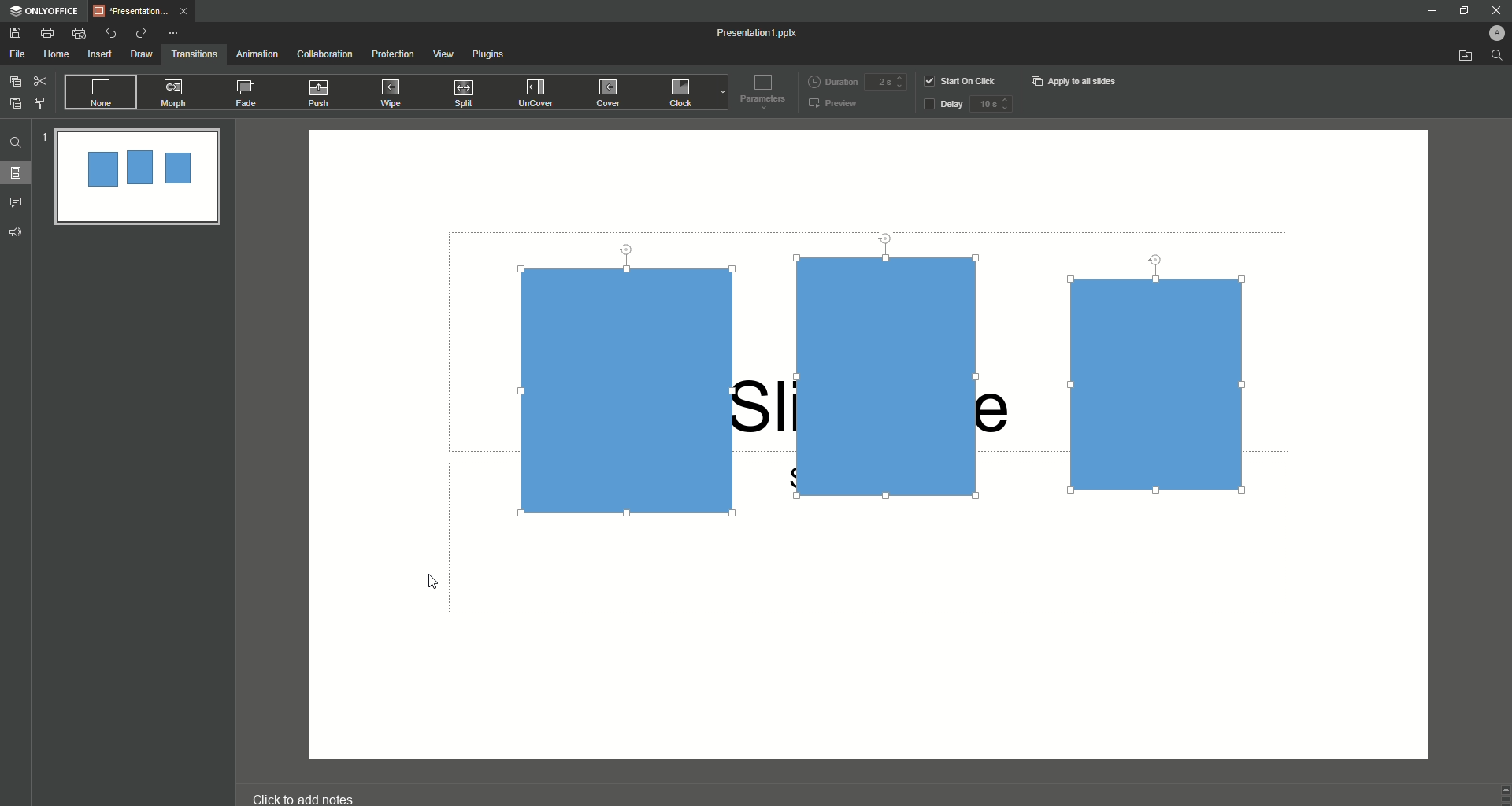 Image resolution: width=1512 pixels, height=806 pixels. What do you see at coordinates (1460, 11) in the screenshot?
I see `Restore` at bounding box center [1460, 11].